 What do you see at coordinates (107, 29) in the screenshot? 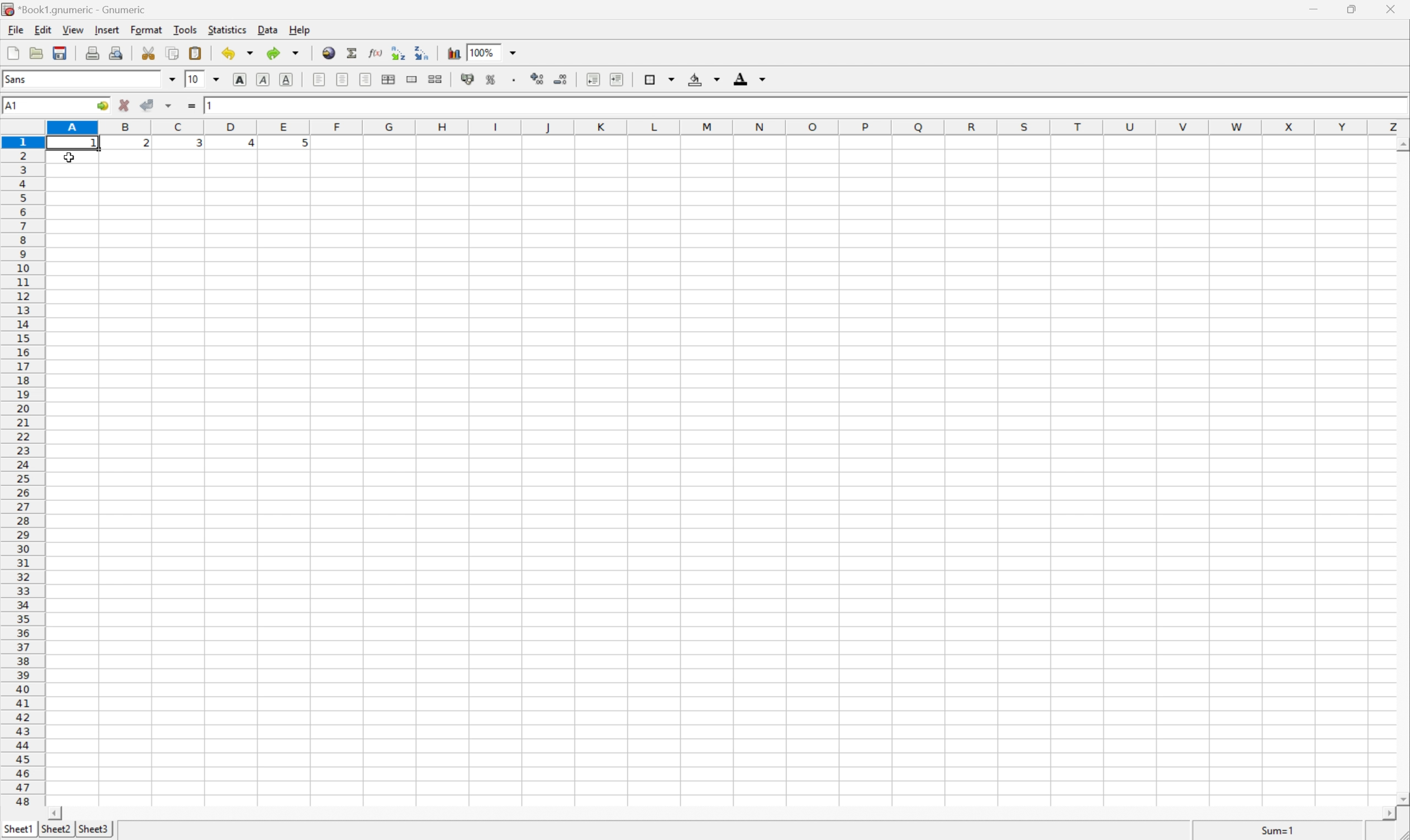
I see `insert` at bounding box center [107, 29].